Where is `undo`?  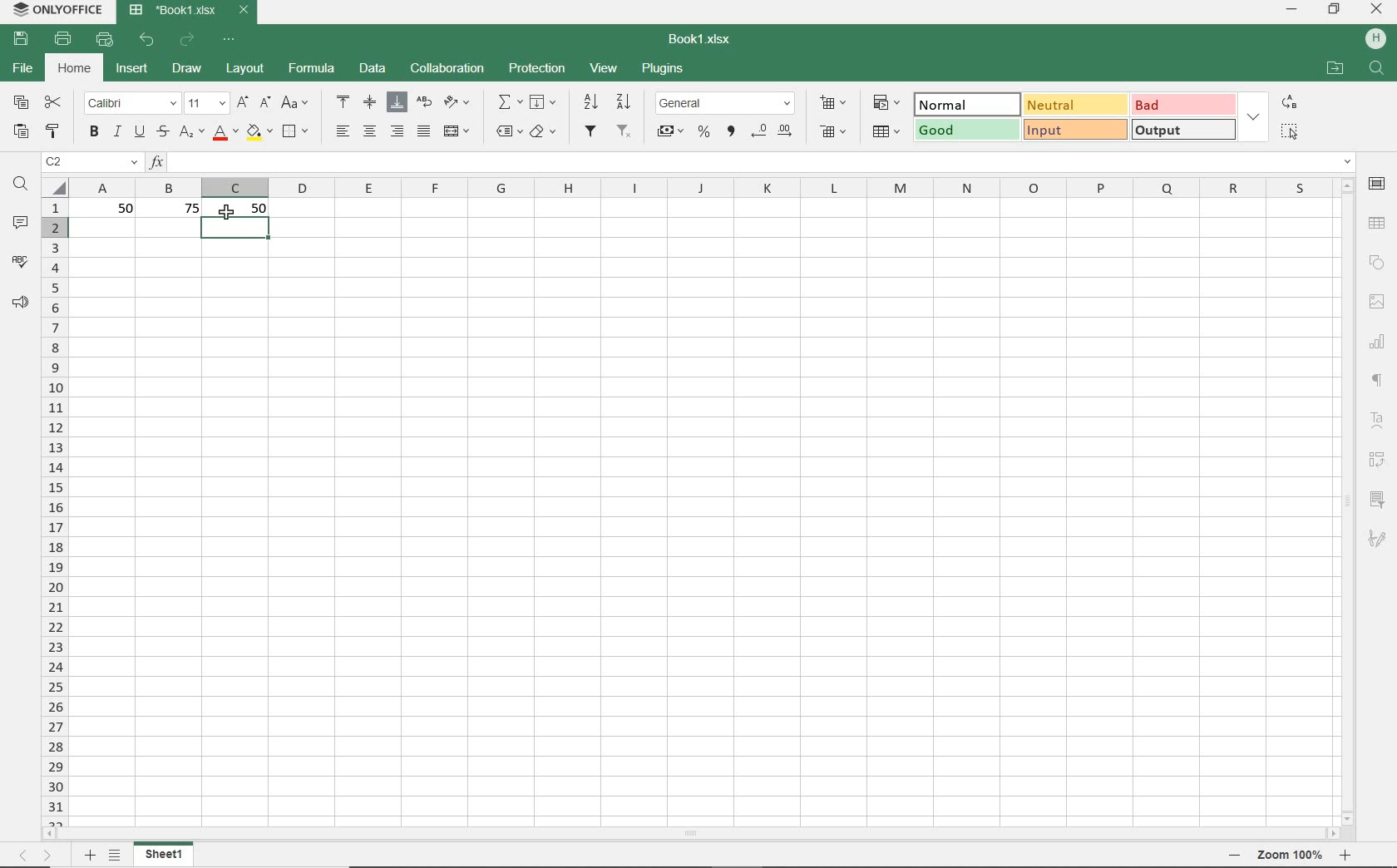
undo is located at coordinates (147, 42).